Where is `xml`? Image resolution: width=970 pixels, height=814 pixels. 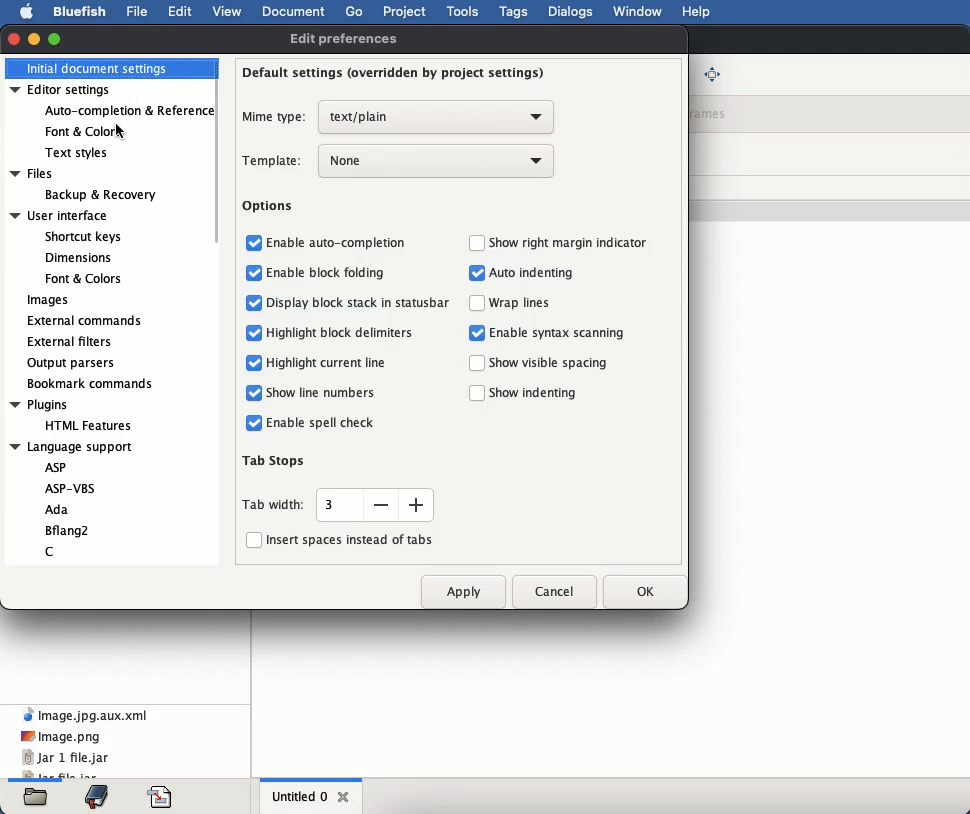 xml is located at coordinates (85, 713).